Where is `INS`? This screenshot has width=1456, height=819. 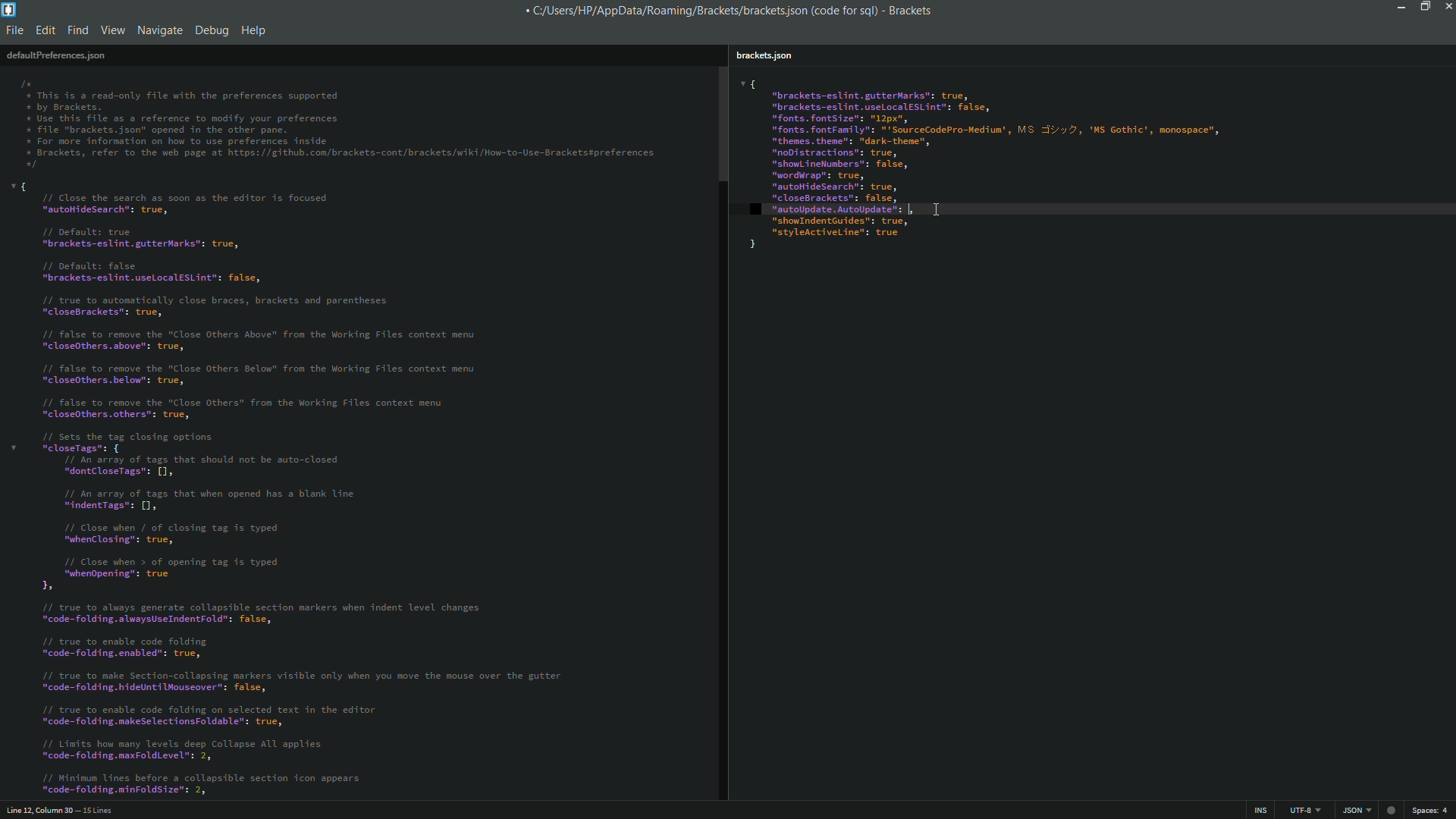 INS is located at coordinates (1262, 810).